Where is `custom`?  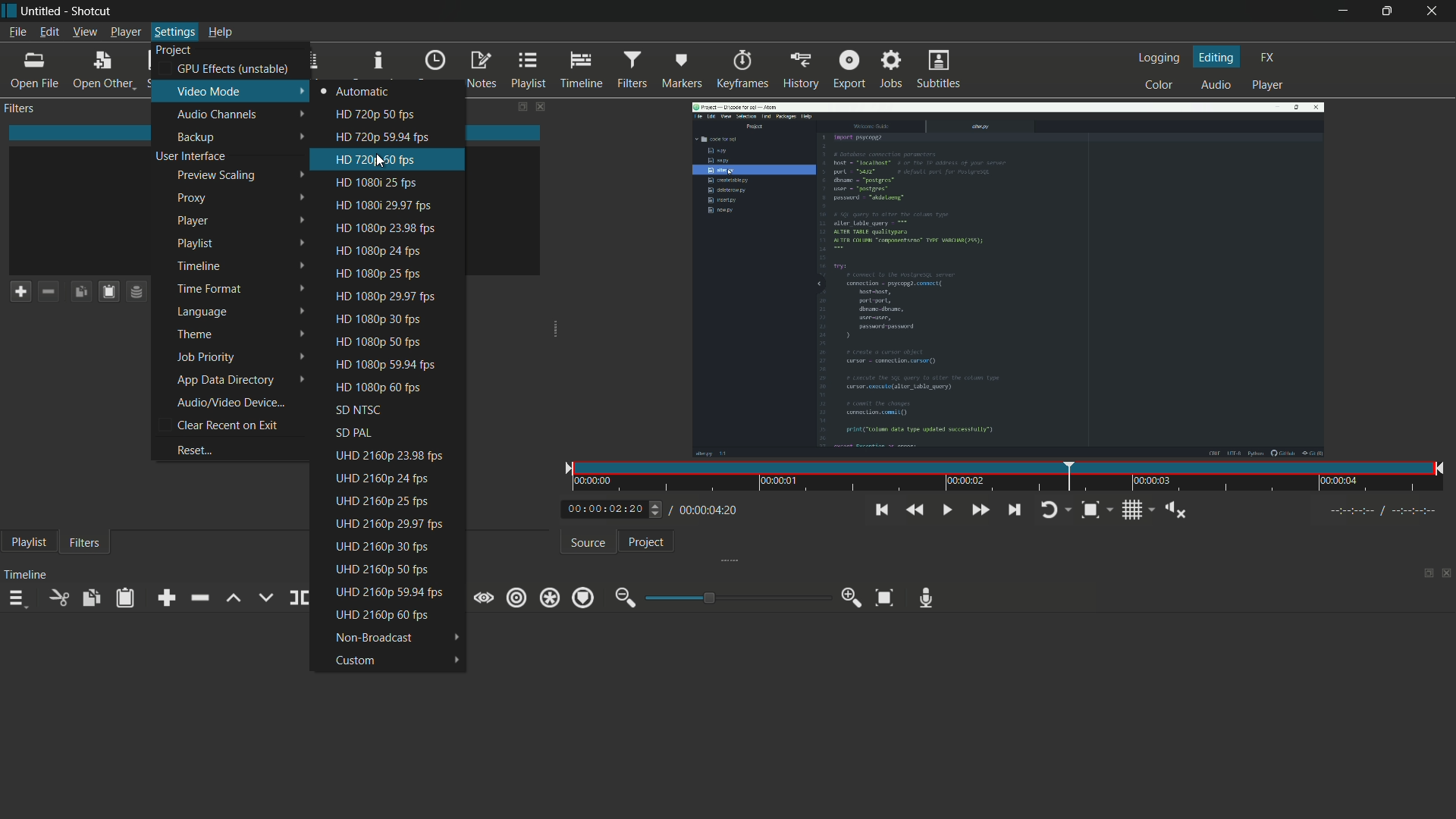 custom is located at coordinates (394, 663).